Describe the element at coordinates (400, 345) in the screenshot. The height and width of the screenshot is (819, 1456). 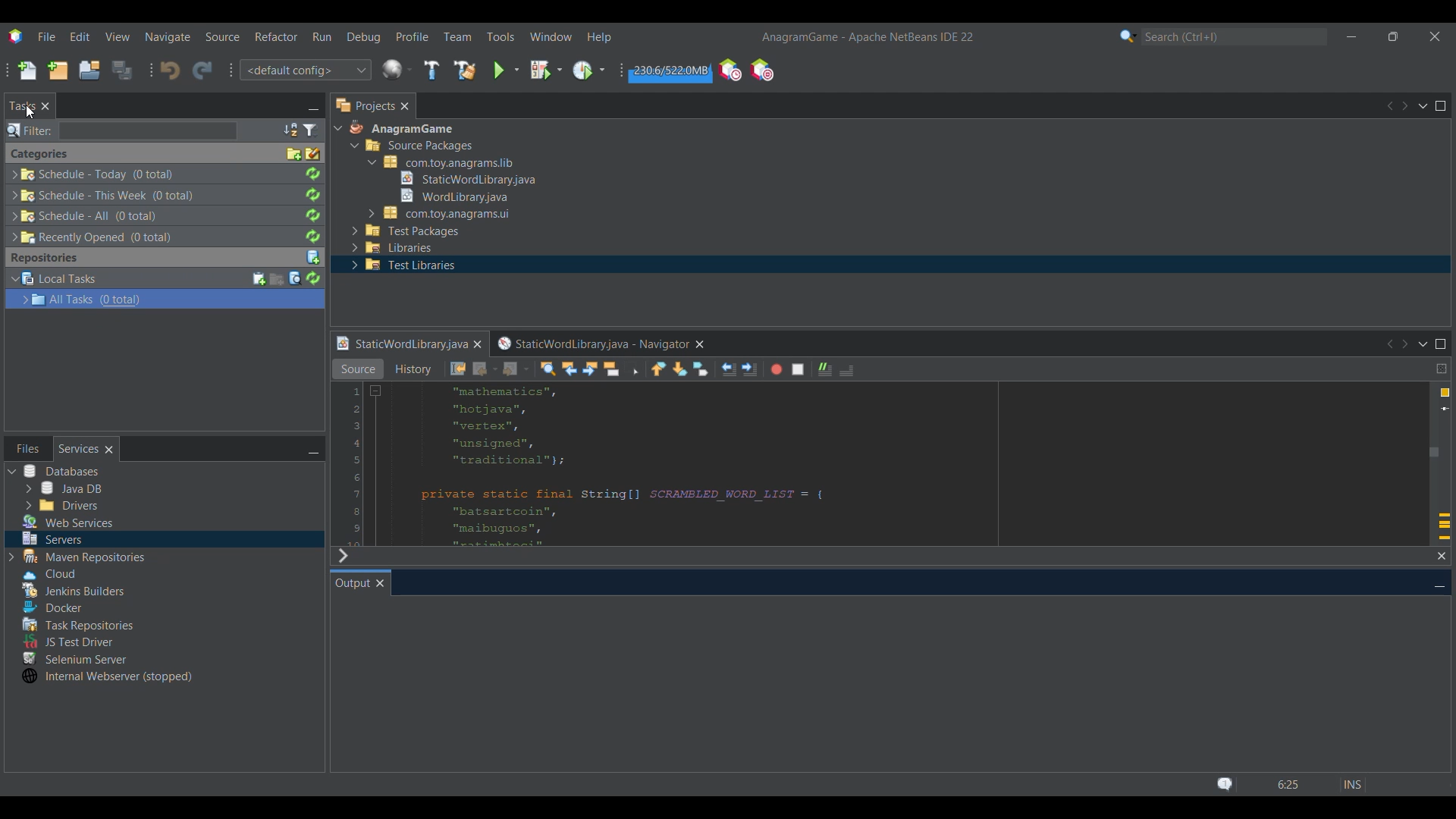
I see `Current tab highlighted` at that location.